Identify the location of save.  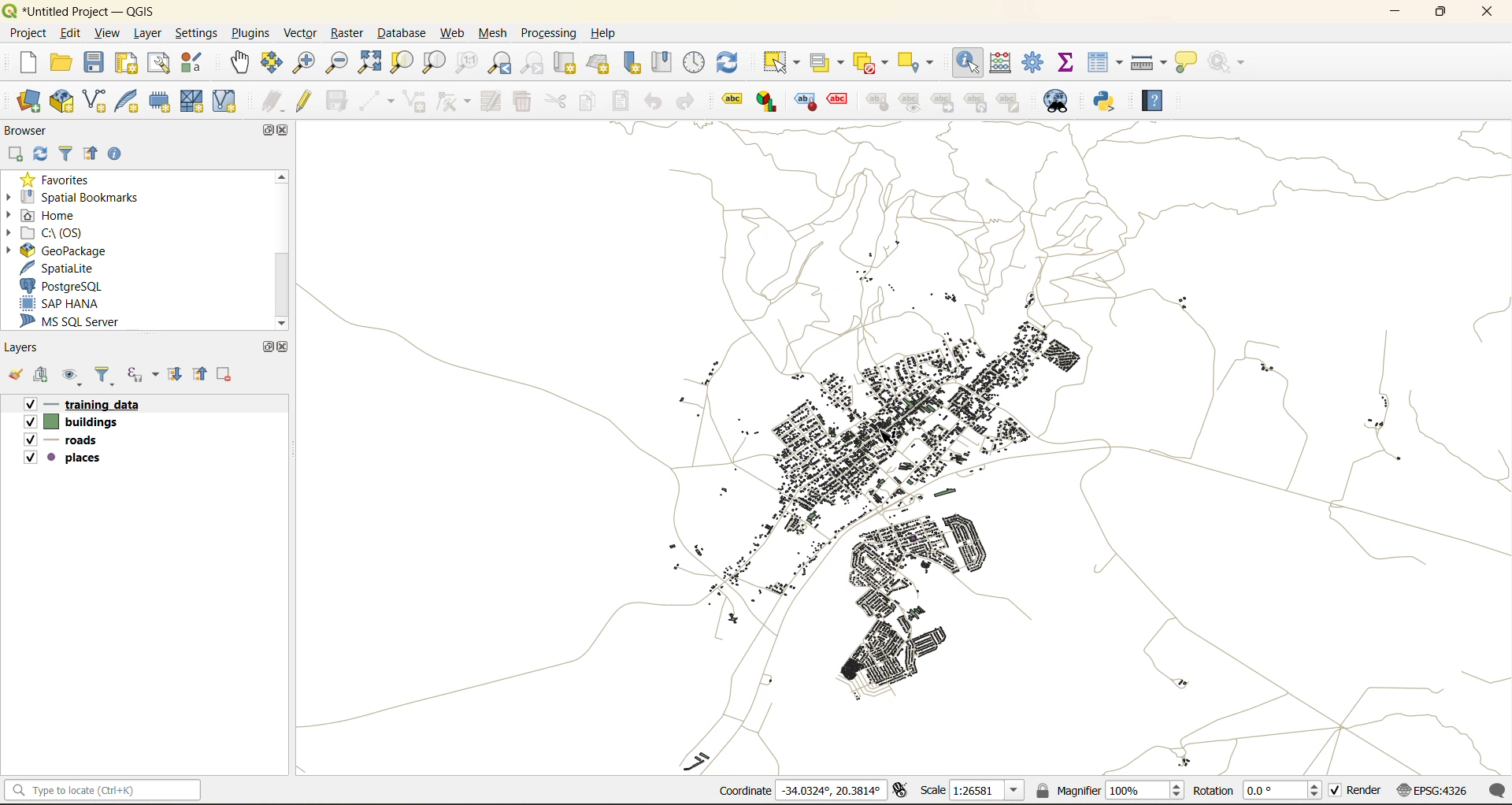
(95, 66).